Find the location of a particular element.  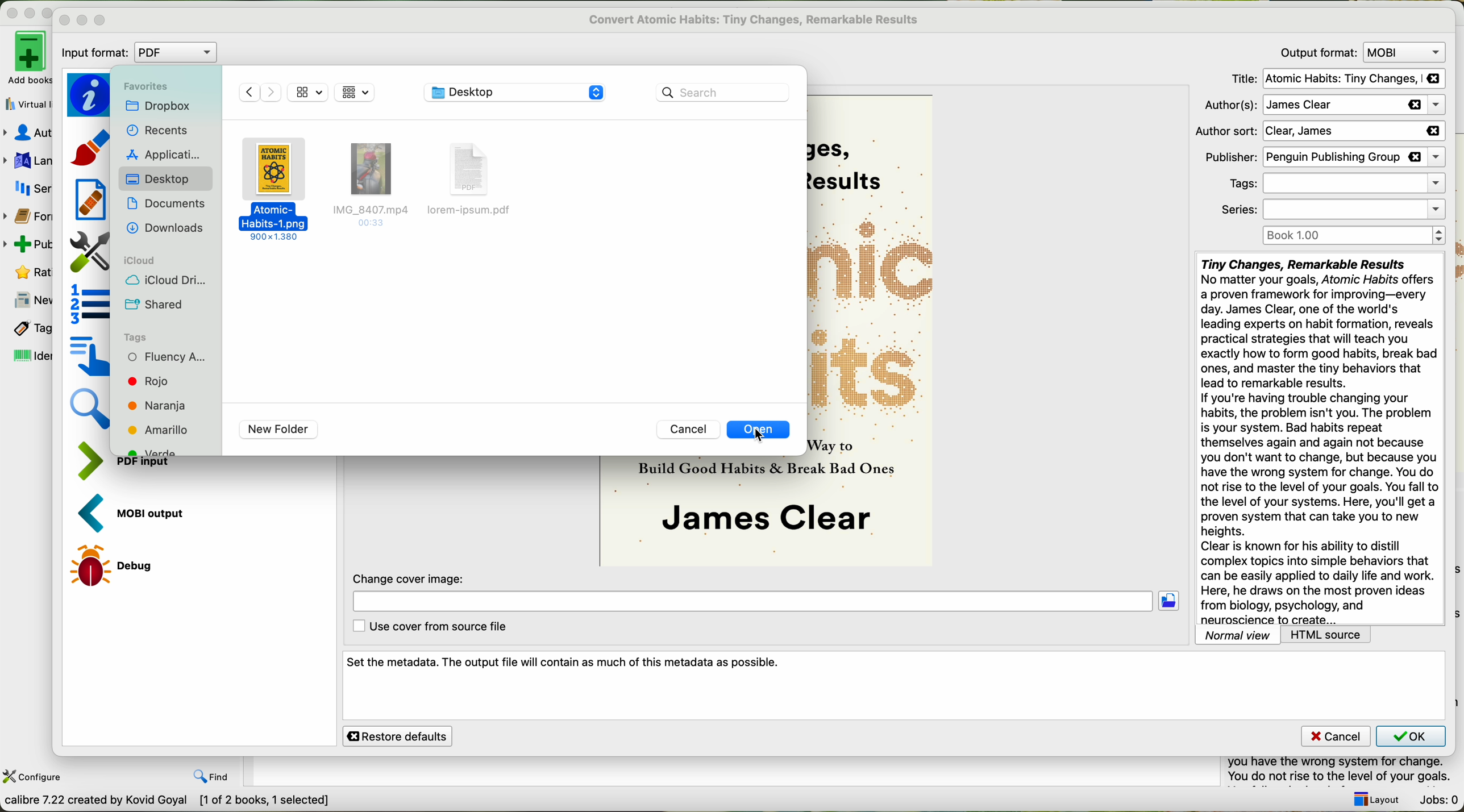

location is located at coordinates (751, 603).